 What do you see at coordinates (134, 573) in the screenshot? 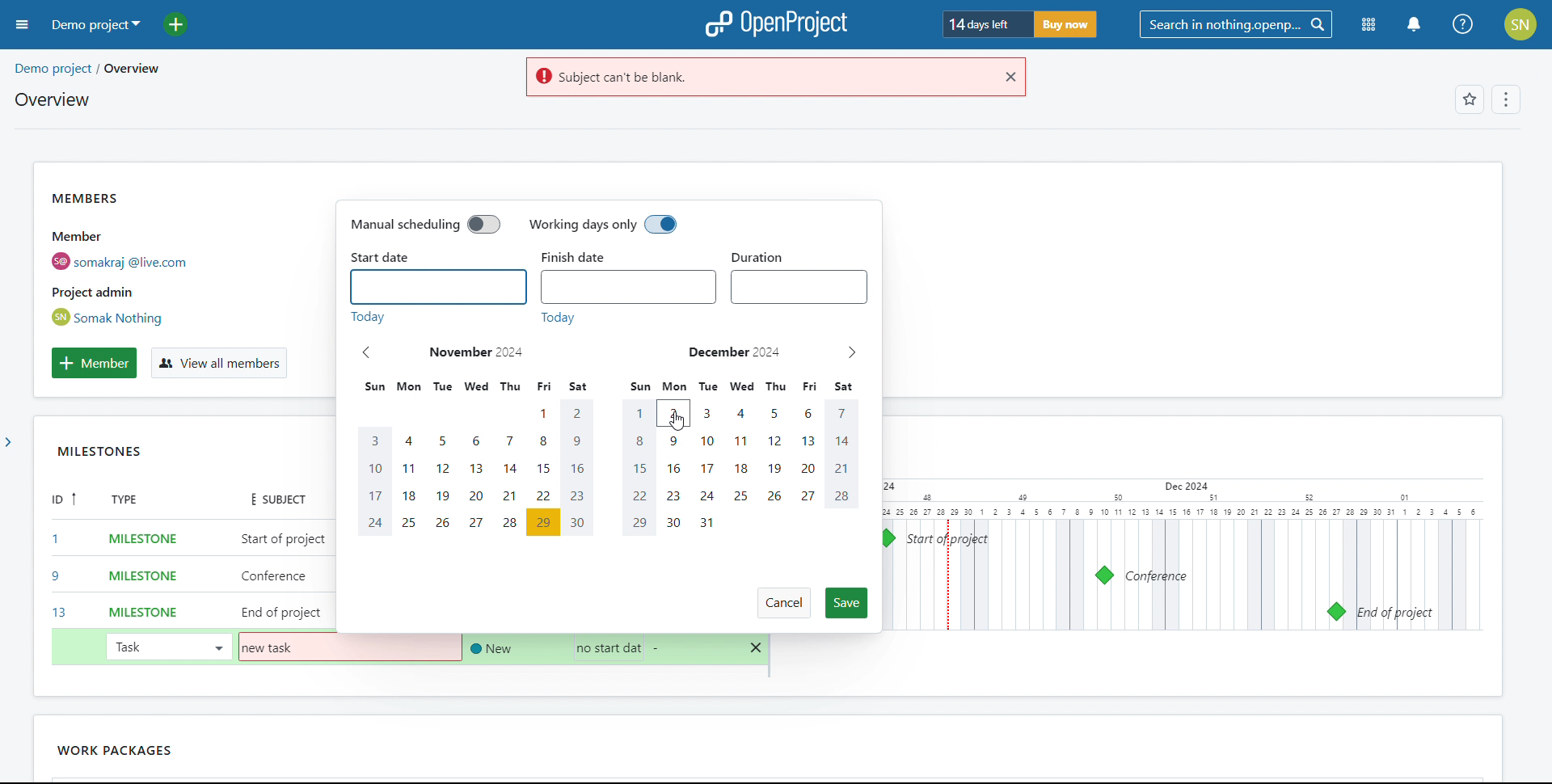
I see `set type` at bounding box center [134, 573].